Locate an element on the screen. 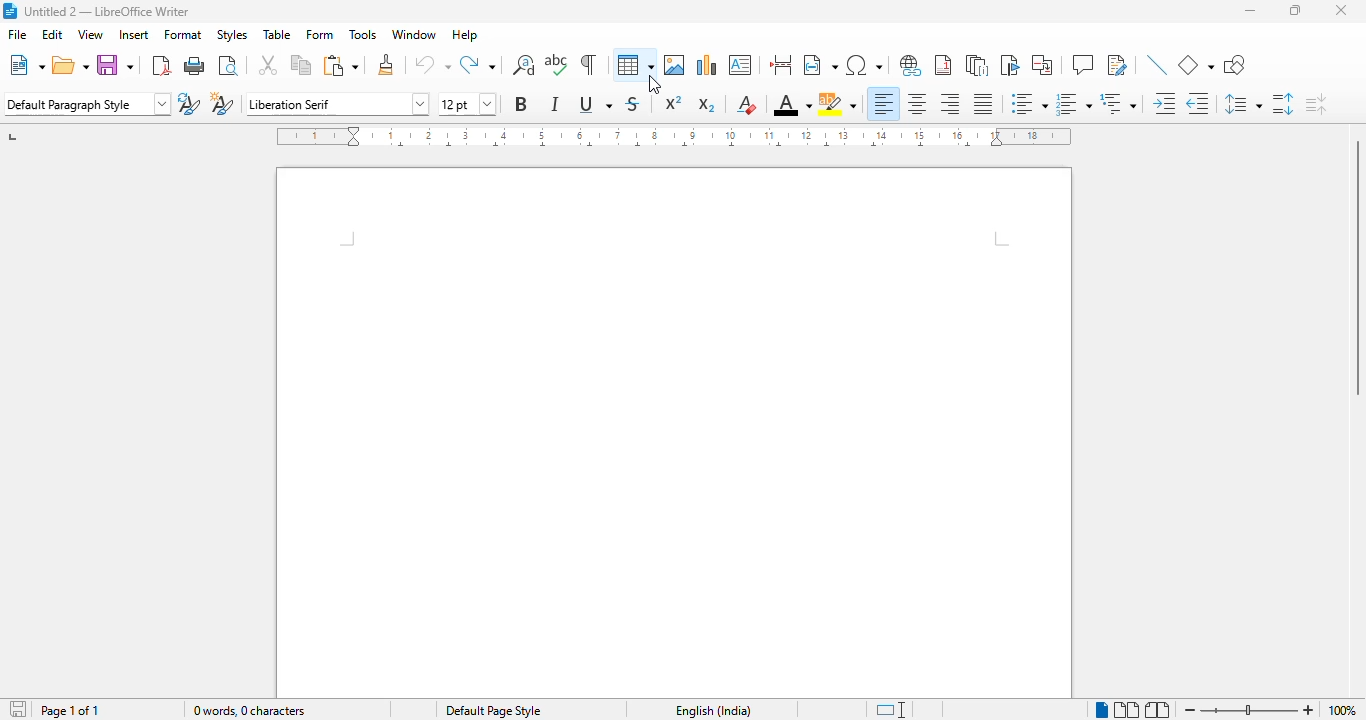 The image size is (1366, 720). format is located at coordinates (183, 35).